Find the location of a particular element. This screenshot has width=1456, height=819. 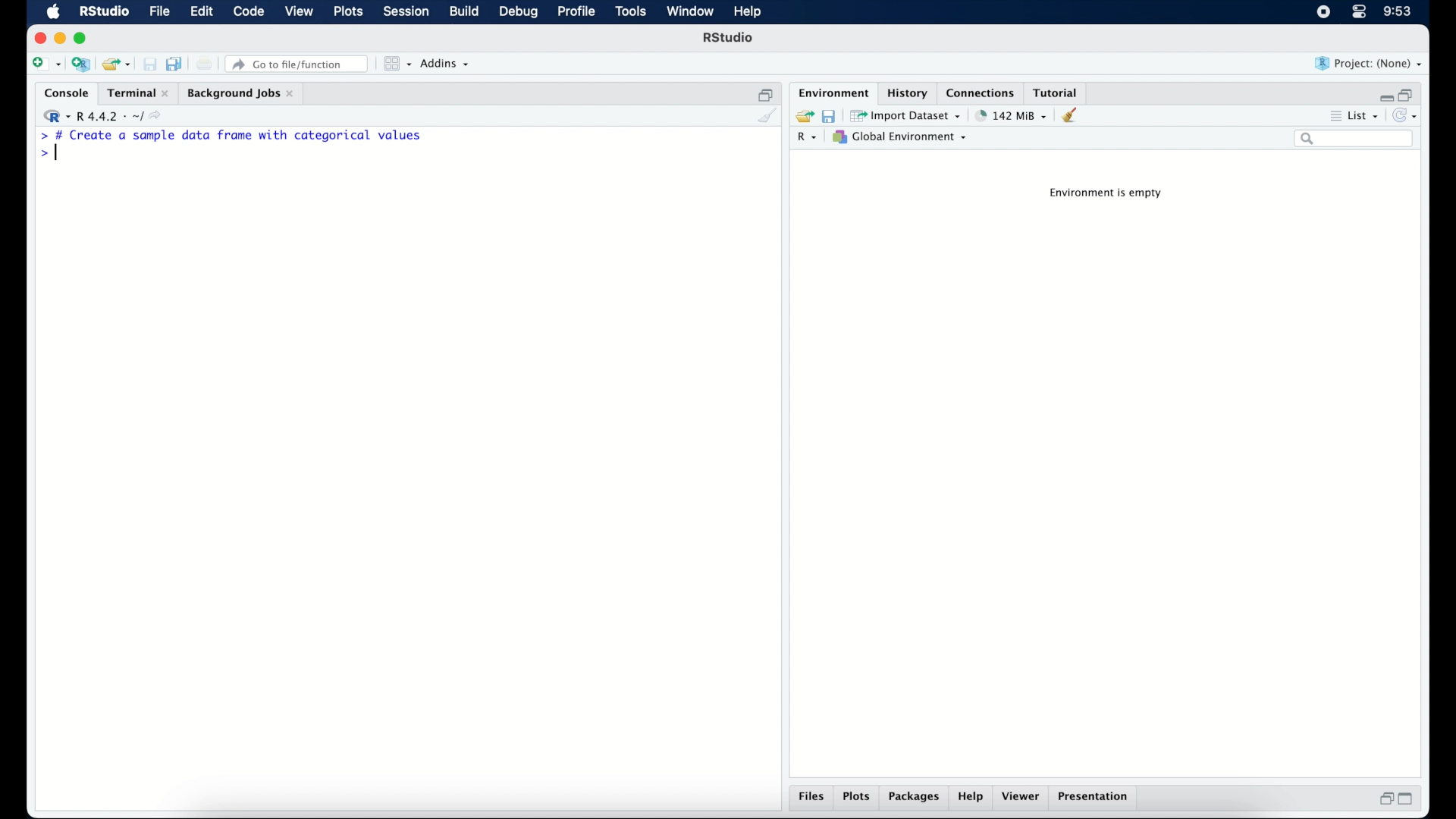

more options is located at coordinates (1333, 115).